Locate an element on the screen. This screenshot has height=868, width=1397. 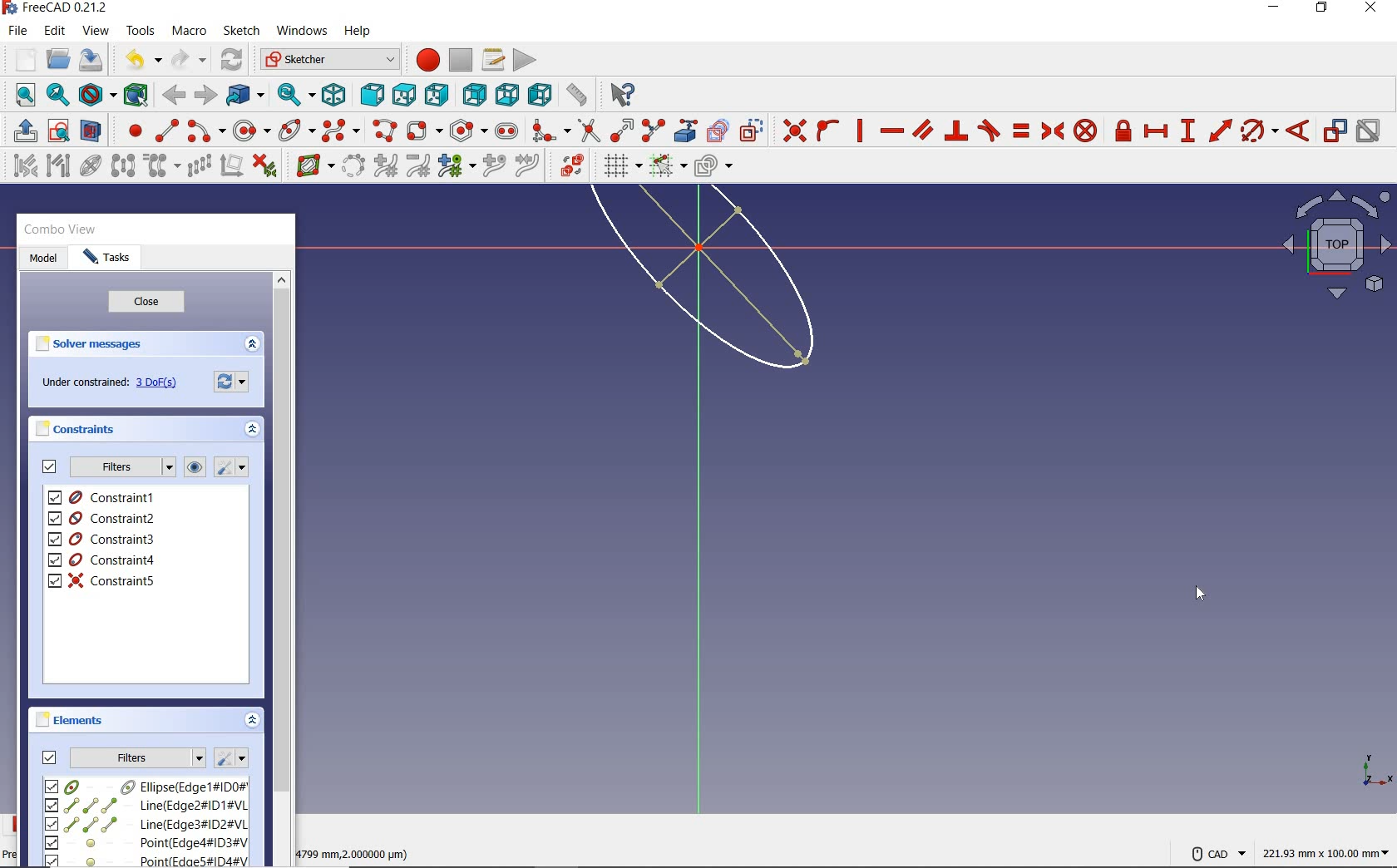
join curves is located at coordinates (528, 166).